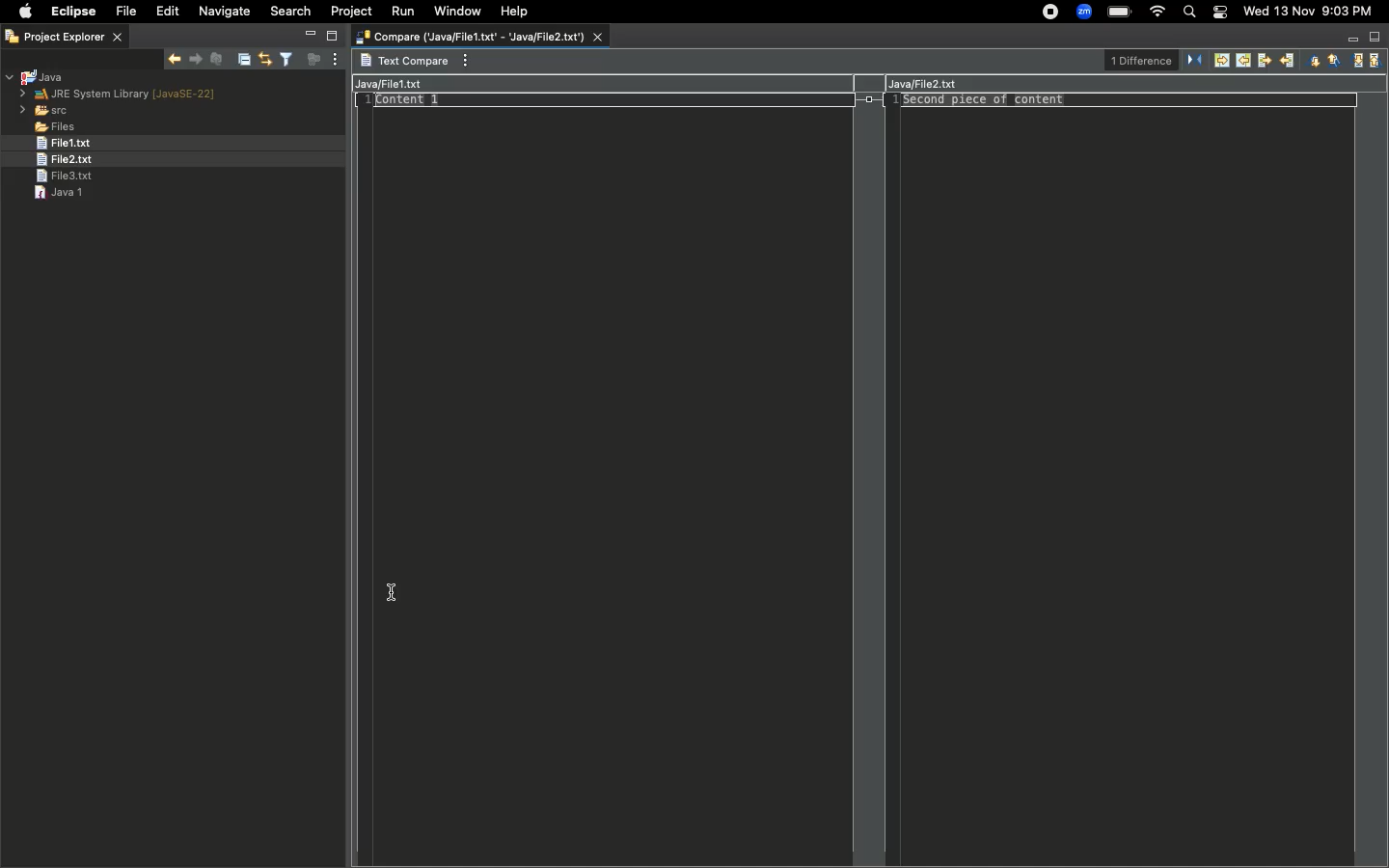  I want to click on Recording, so click(1046, 14).